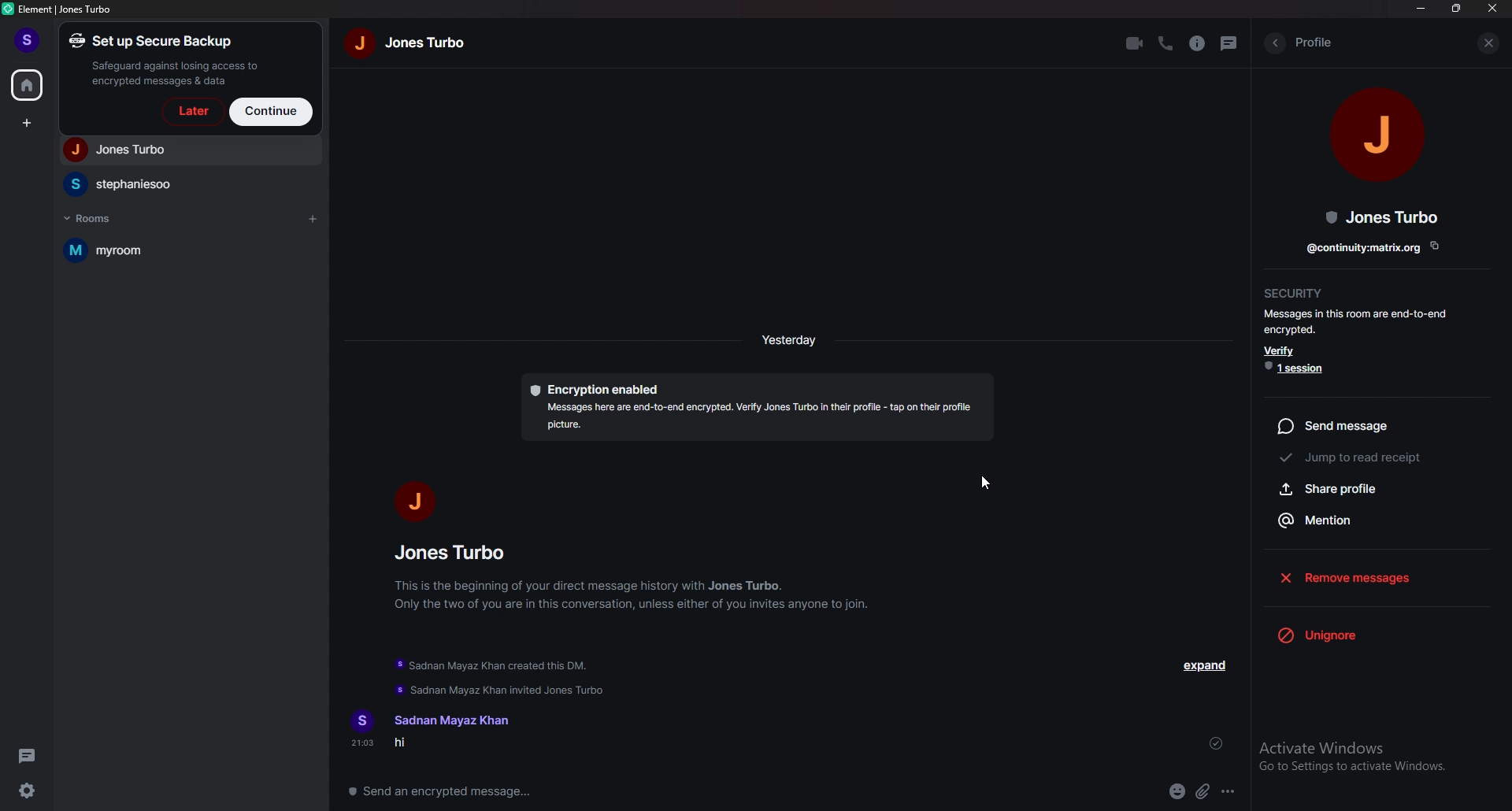  Describe the element at coordinates (1204, 791) in the screenshot. I see `attachment` at that location.